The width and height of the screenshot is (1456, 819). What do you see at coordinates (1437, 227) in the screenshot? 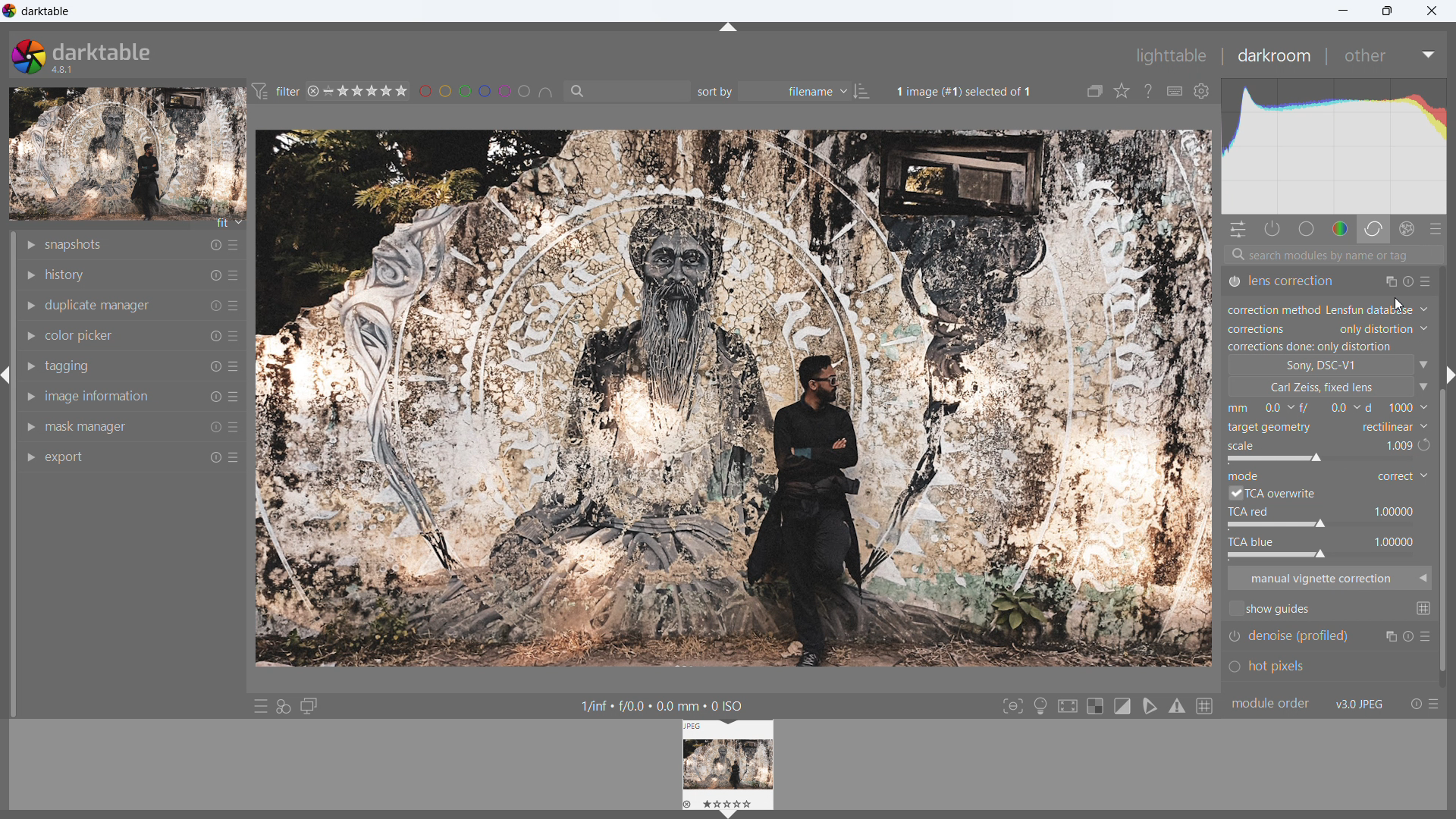
I see `presets` at bounding box center [1437, 227].